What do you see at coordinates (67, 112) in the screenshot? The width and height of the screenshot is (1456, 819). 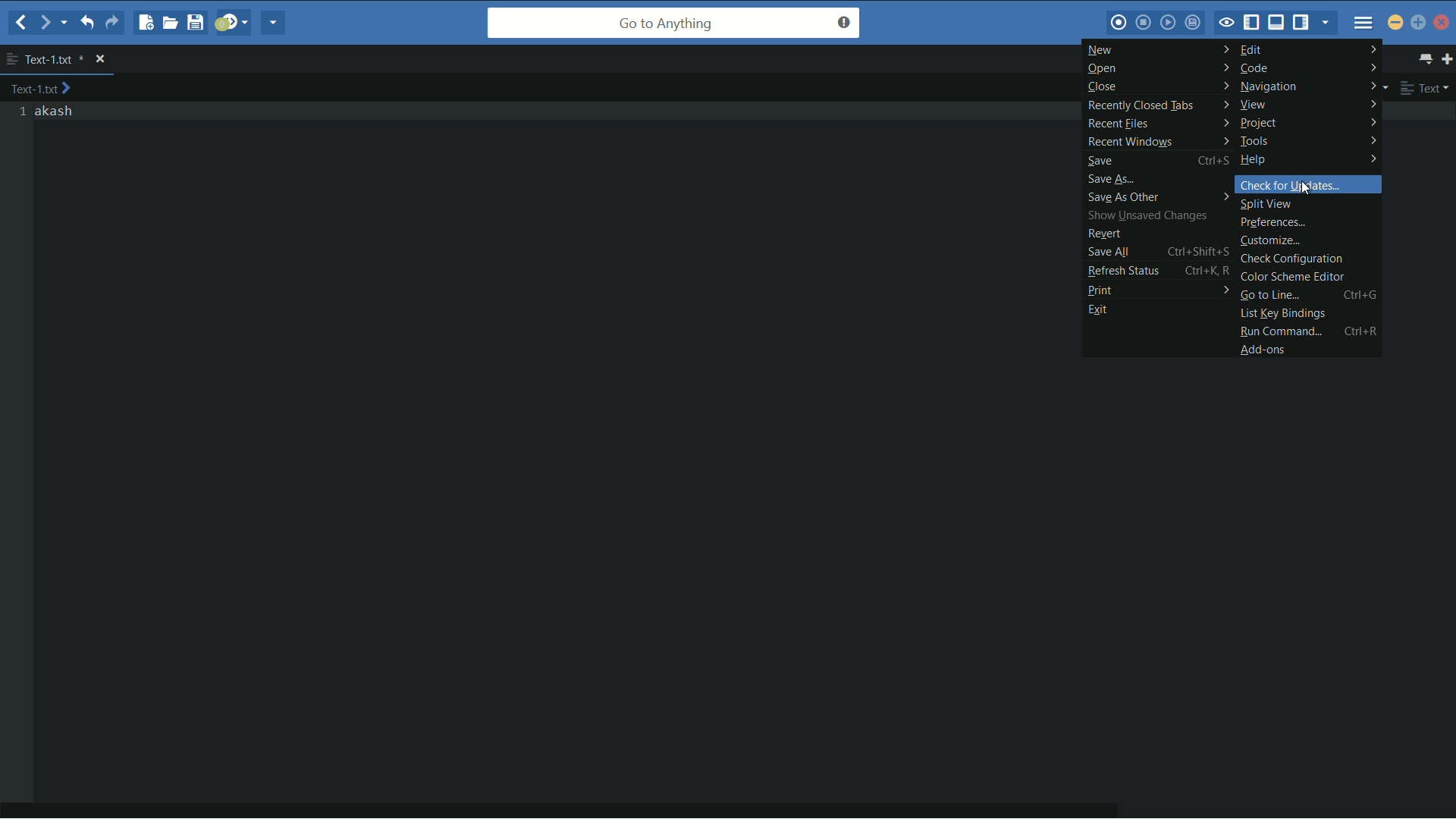 I see `akash` at bounding box center [67, 112].